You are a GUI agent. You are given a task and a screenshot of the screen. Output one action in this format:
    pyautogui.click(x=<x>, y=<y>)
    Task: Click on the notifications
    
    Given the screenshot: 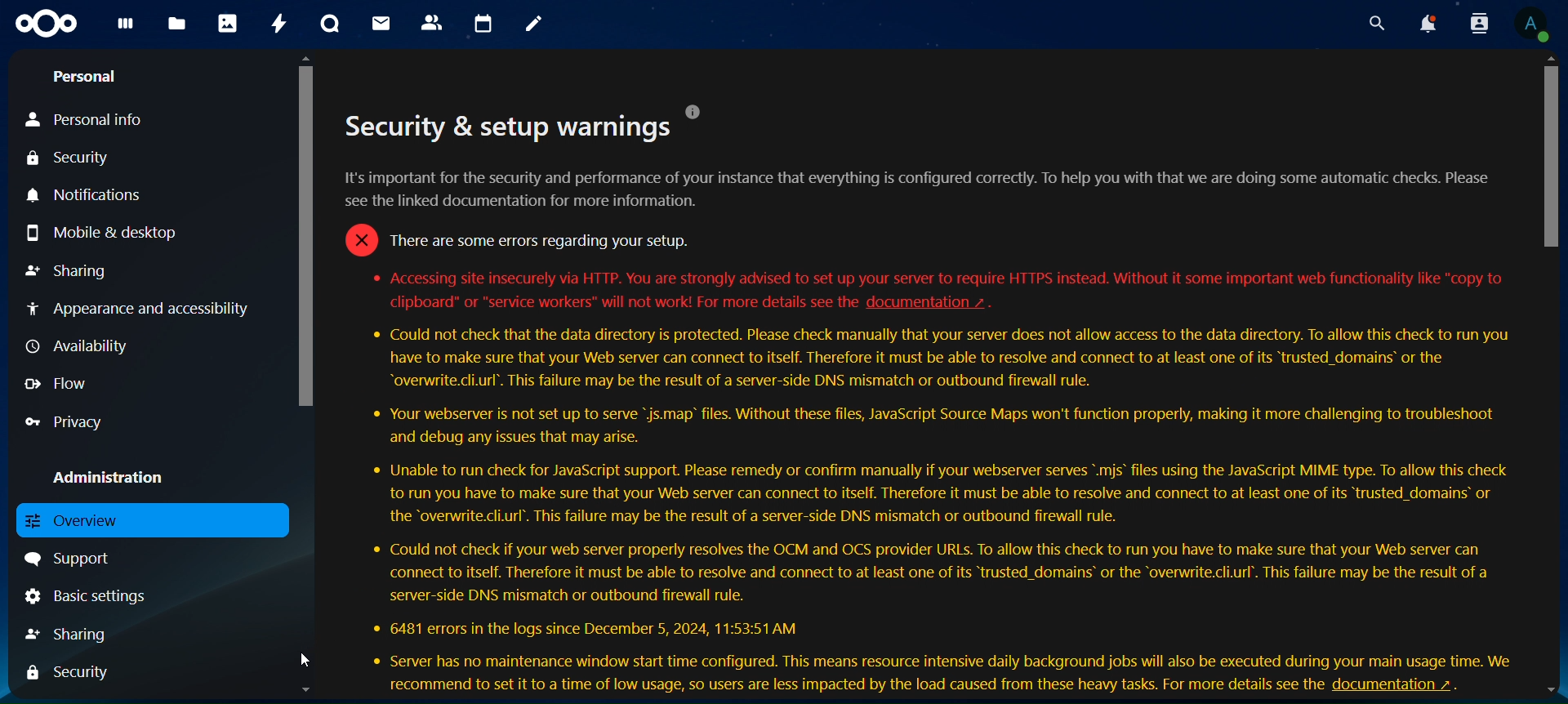 What is the action you would take?
    pyautogui.click(x=91, y=194)
    